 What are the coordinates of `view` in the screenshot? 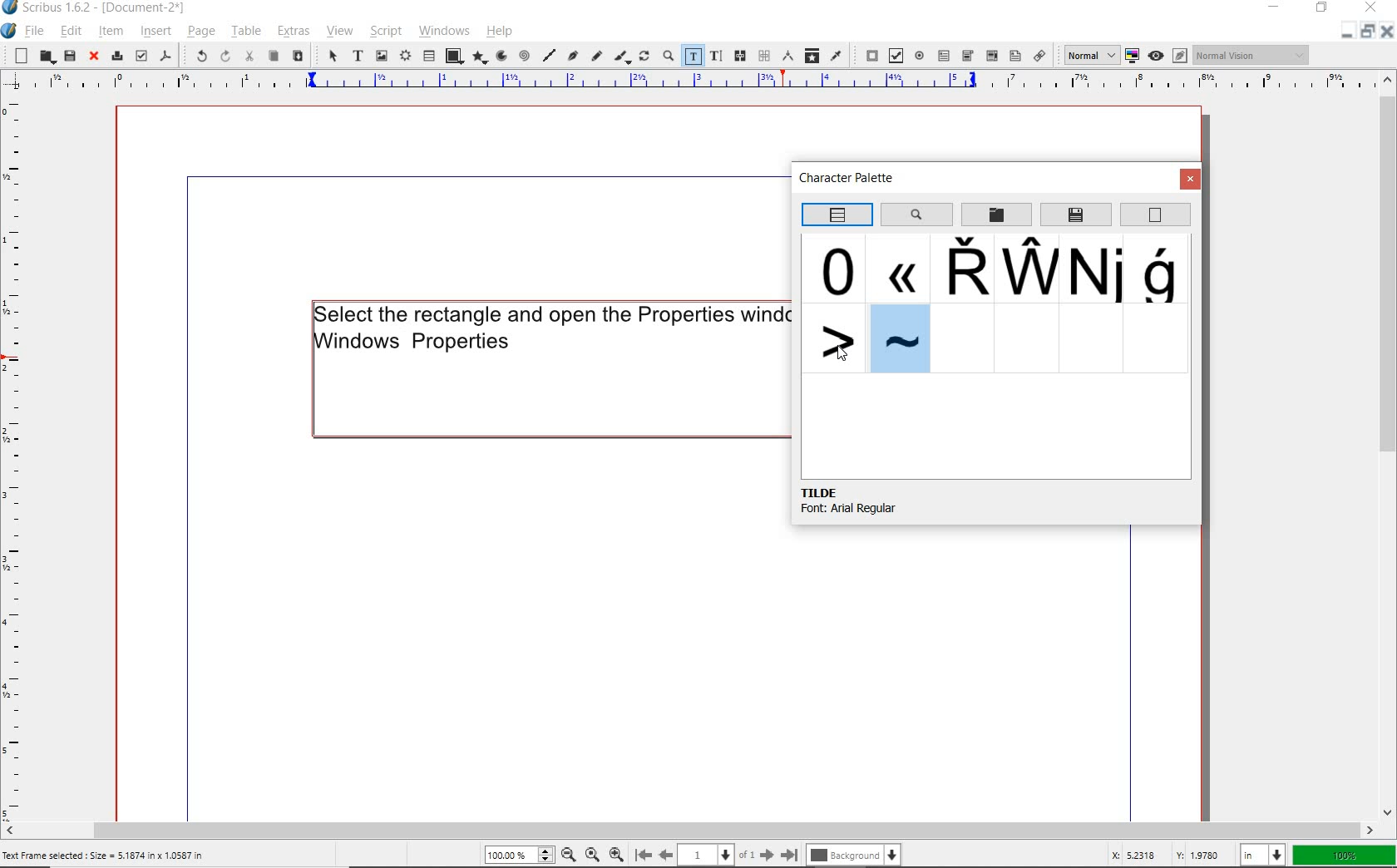 It's located at (338, 33).